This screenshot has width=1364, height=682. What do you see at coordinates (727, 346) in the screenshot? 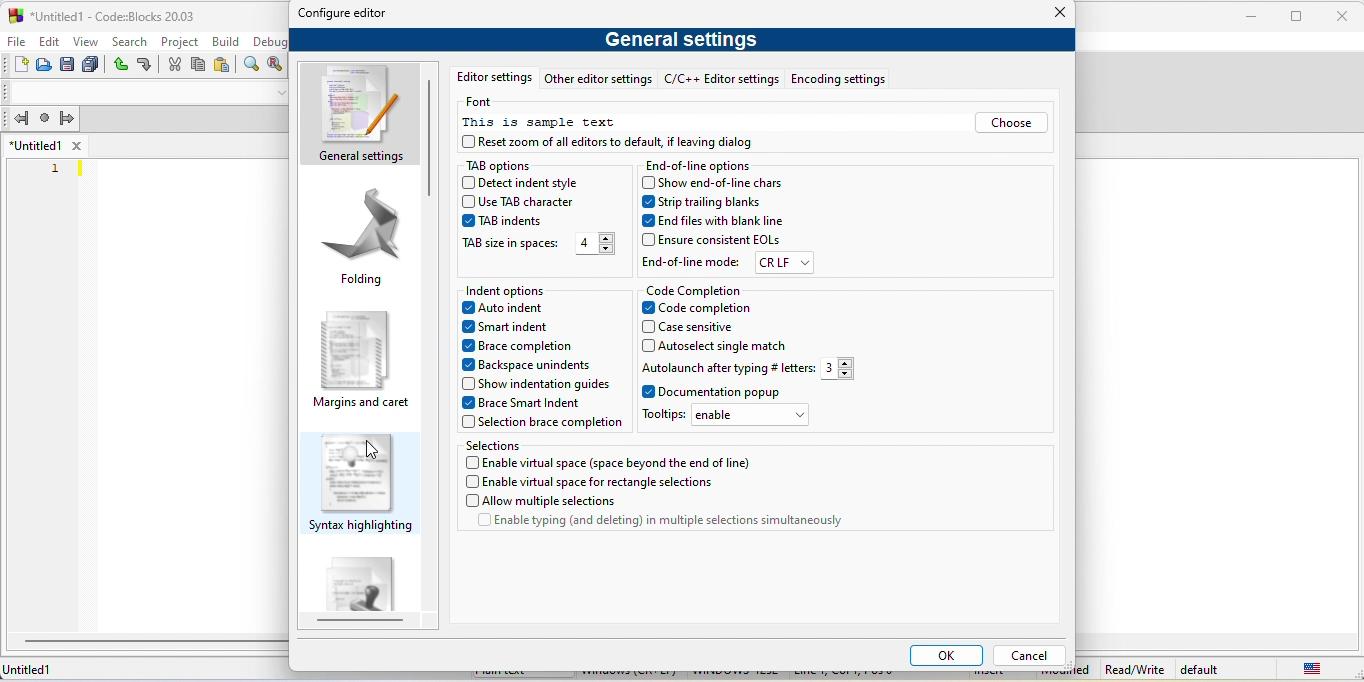
I see `auto select single match` at bounding box center [727, 346].